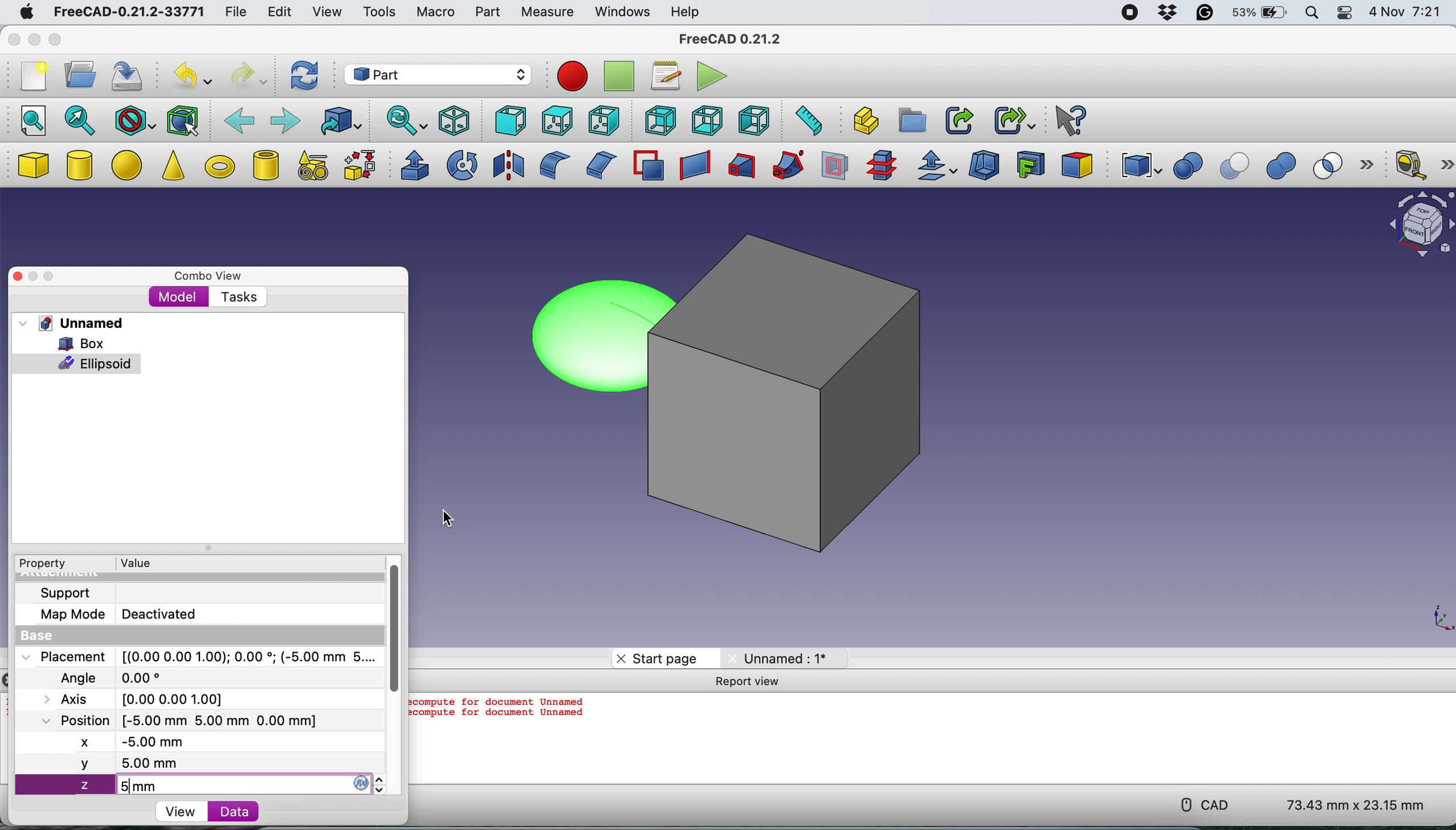  Describe the element at coordinates (24, 13) in the screenshot. I see `mac logo` at that location.